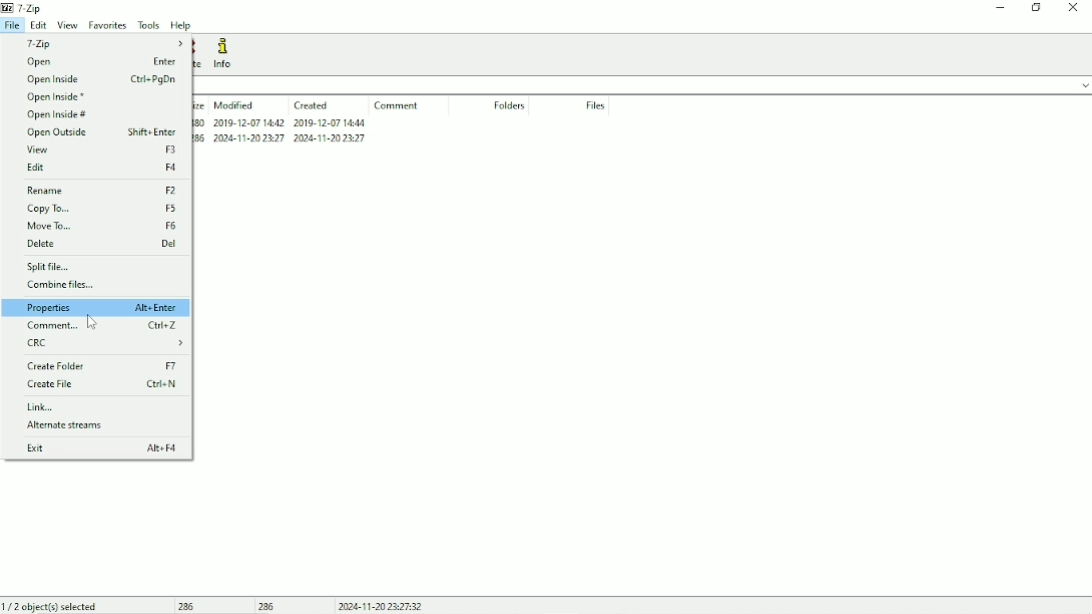 This screenshot has width=1092, height=614. I want to click on 1/2 object(s) selected, so click(52, 605).